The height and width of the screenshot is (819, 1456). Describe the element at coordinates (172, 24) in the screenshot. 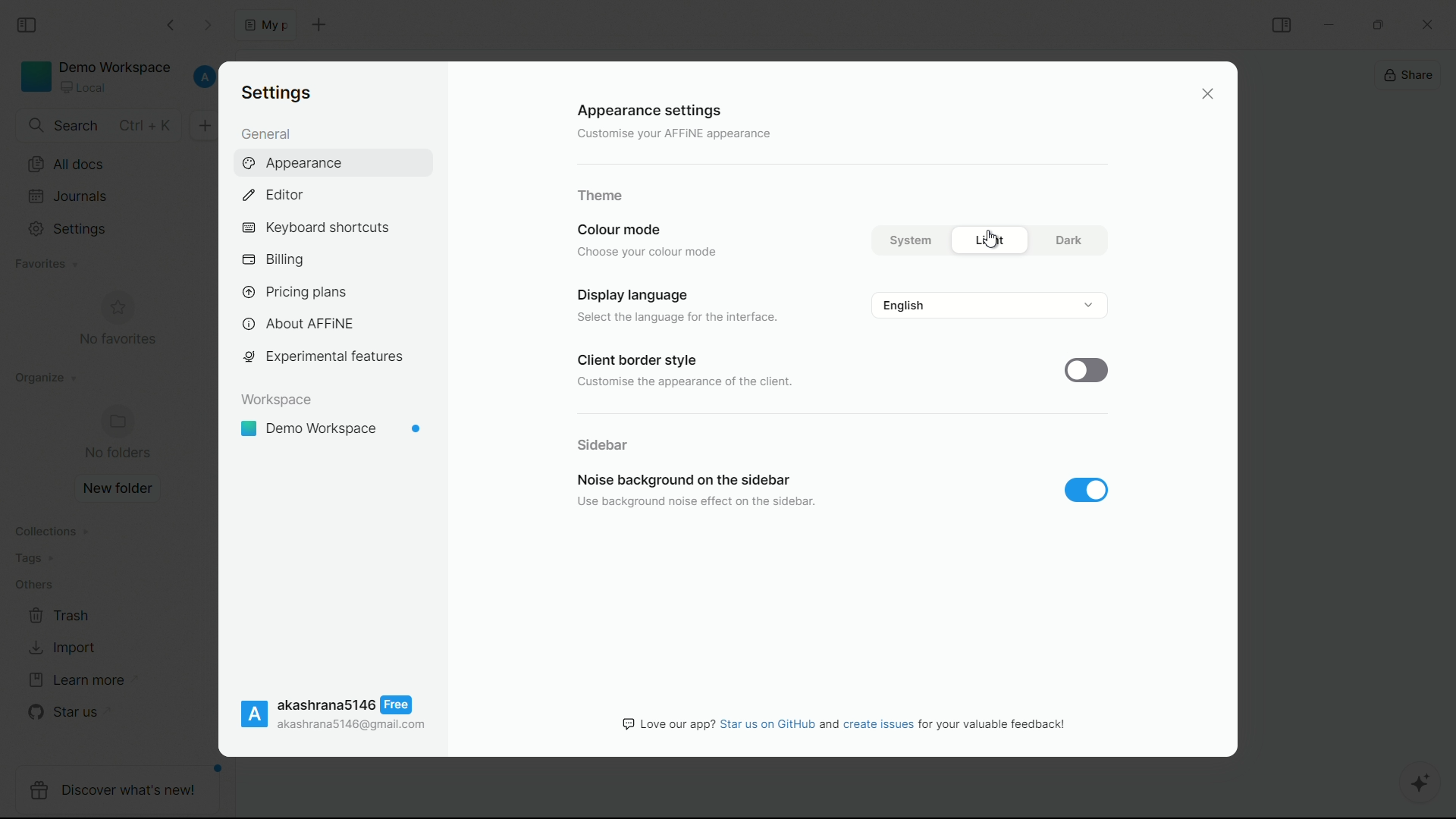

I see `back` at that location.